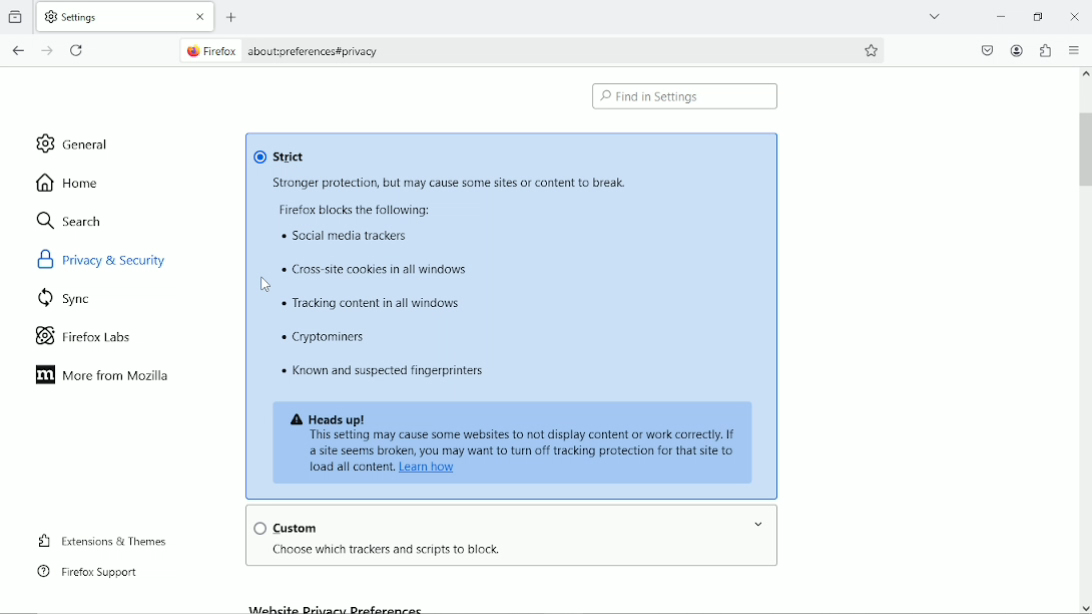 This screenshot has height=614, width=1092. I want to click on site, so click(319, 51).